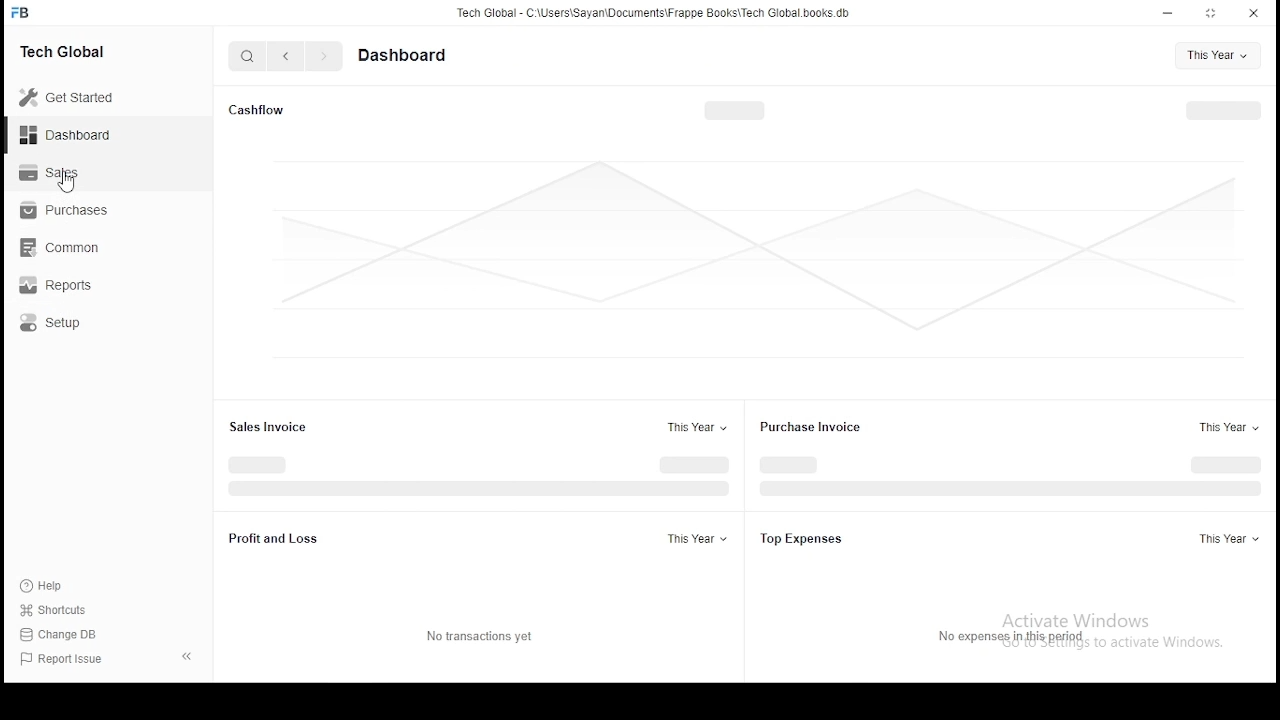 This screenshot has width=1280, height=720. I want to click on search, so click(248, 55).